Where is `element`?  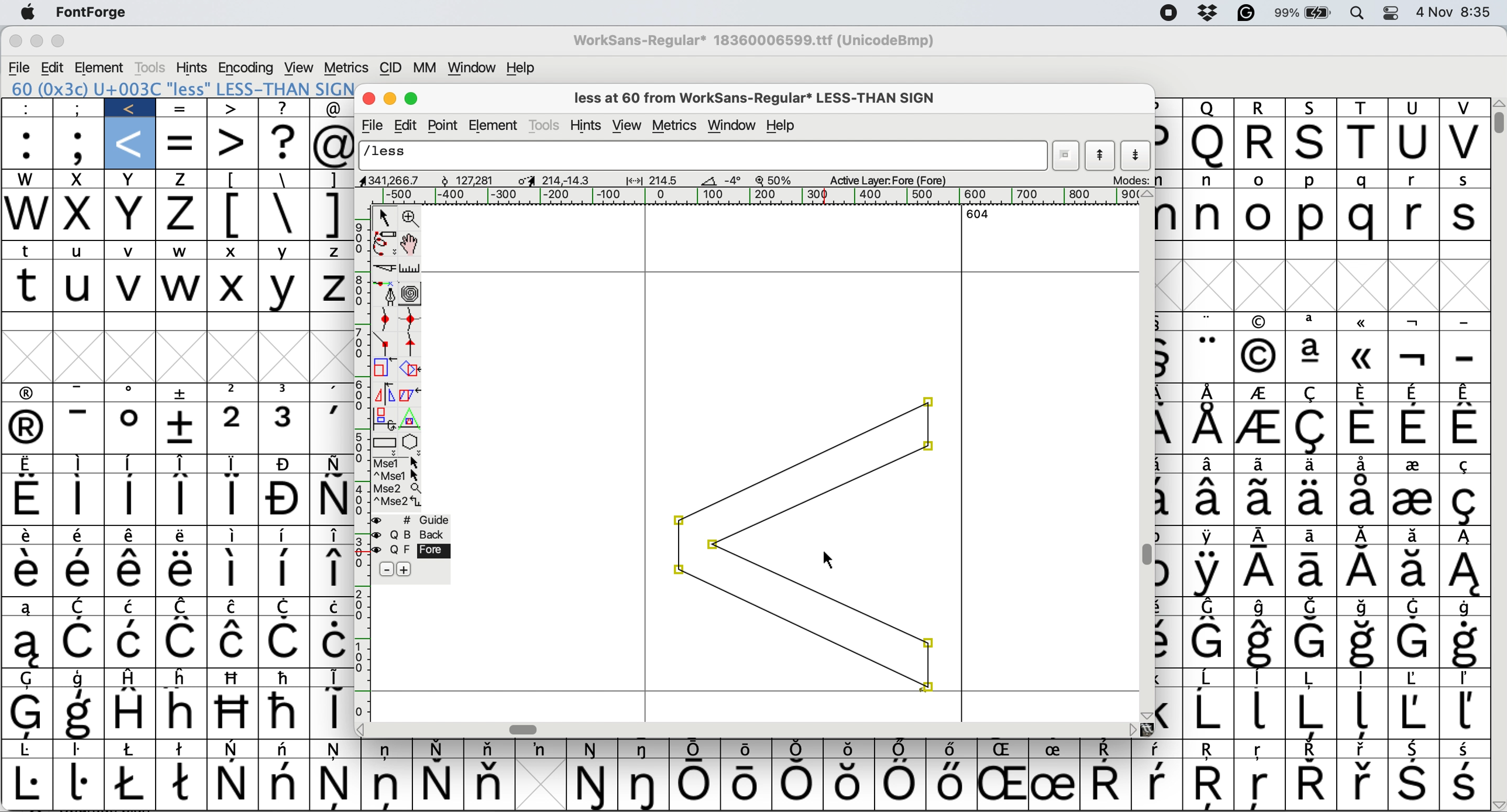
element is located at coordinates (496, 124).